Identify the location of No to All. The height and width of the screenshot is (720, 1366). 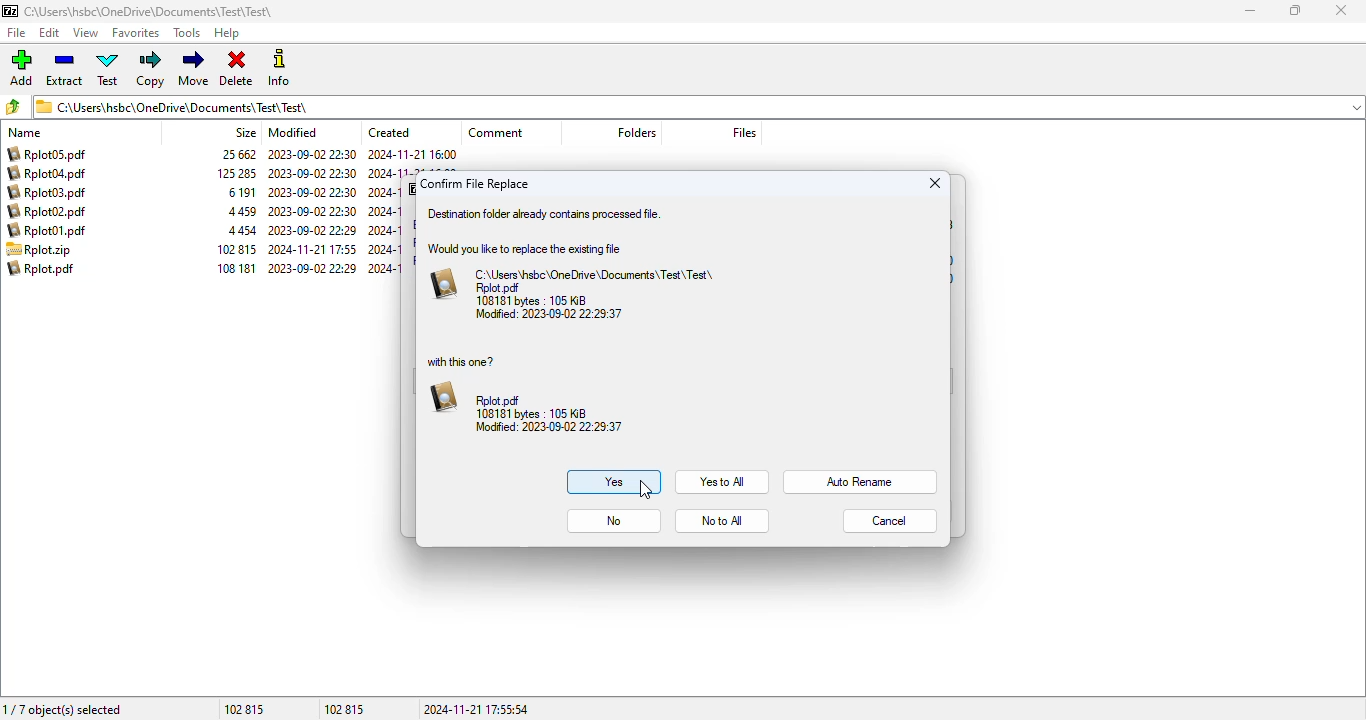
(723, 520).